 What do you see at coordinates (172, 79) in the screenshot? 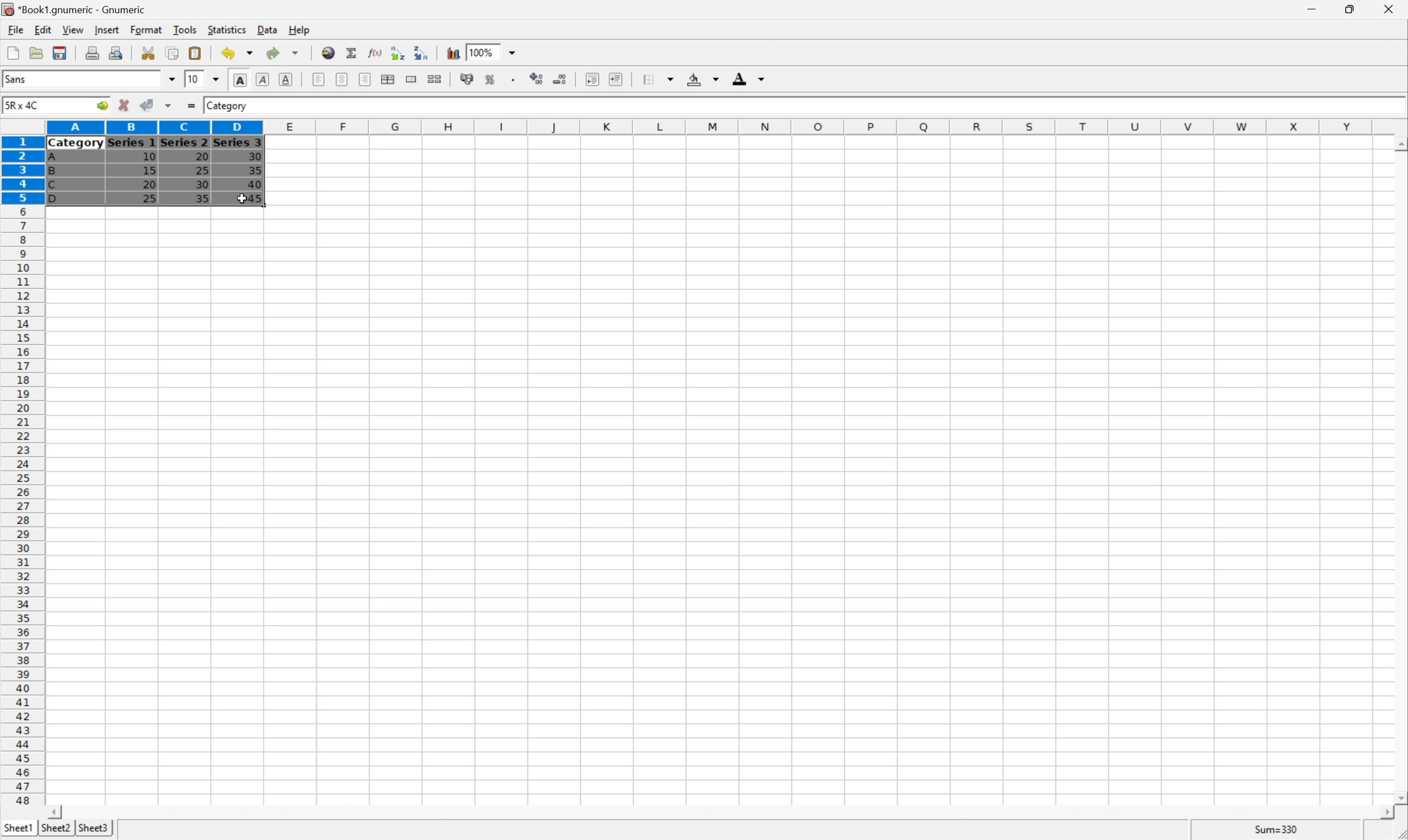
I see `Drop Down` at bounding box center [172, 79].